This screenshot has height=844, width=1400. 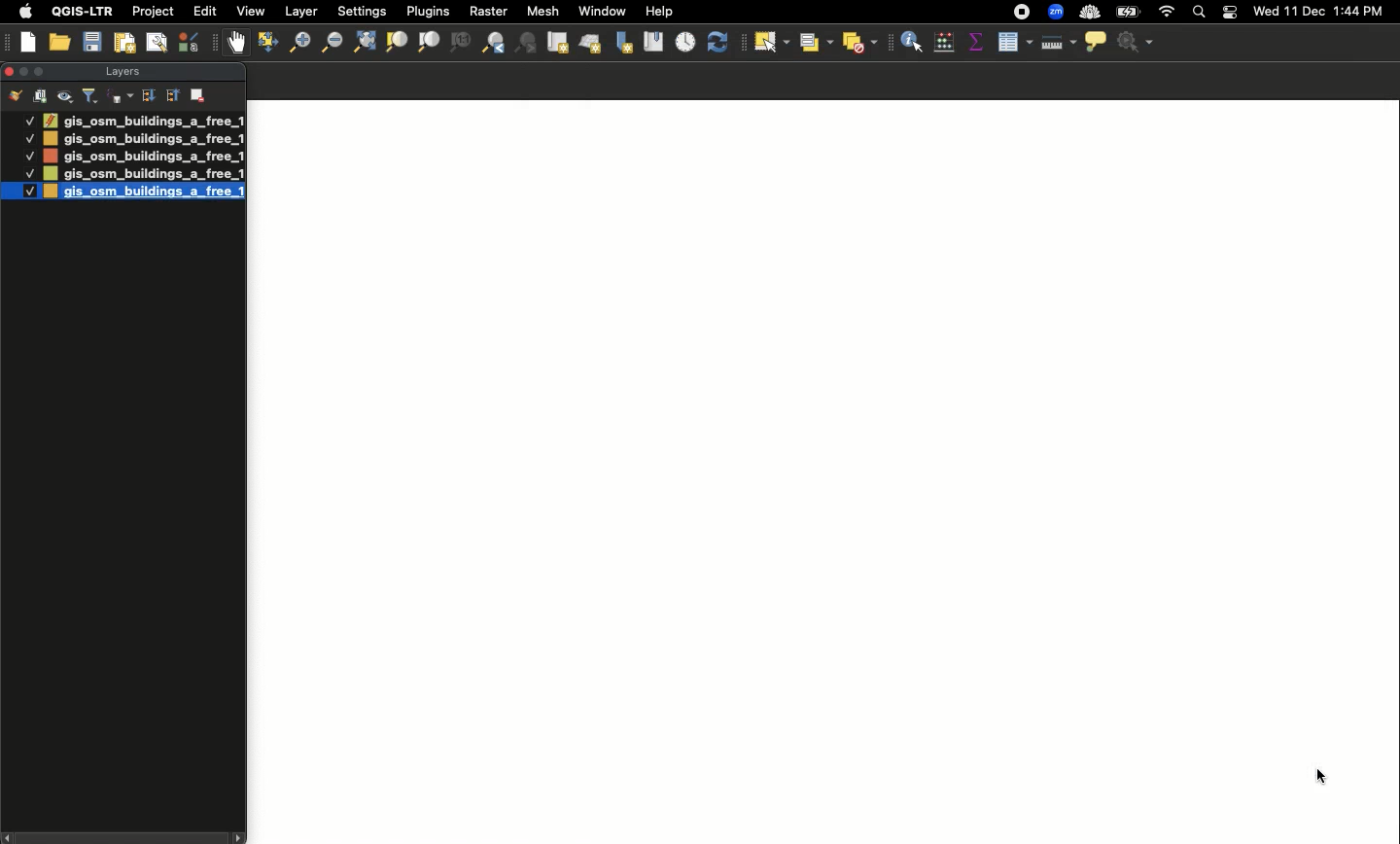 What do you see at coordinates (430, 42) in the screenshot?
I see `Zoom to layer` at bounding box center [430, 42].